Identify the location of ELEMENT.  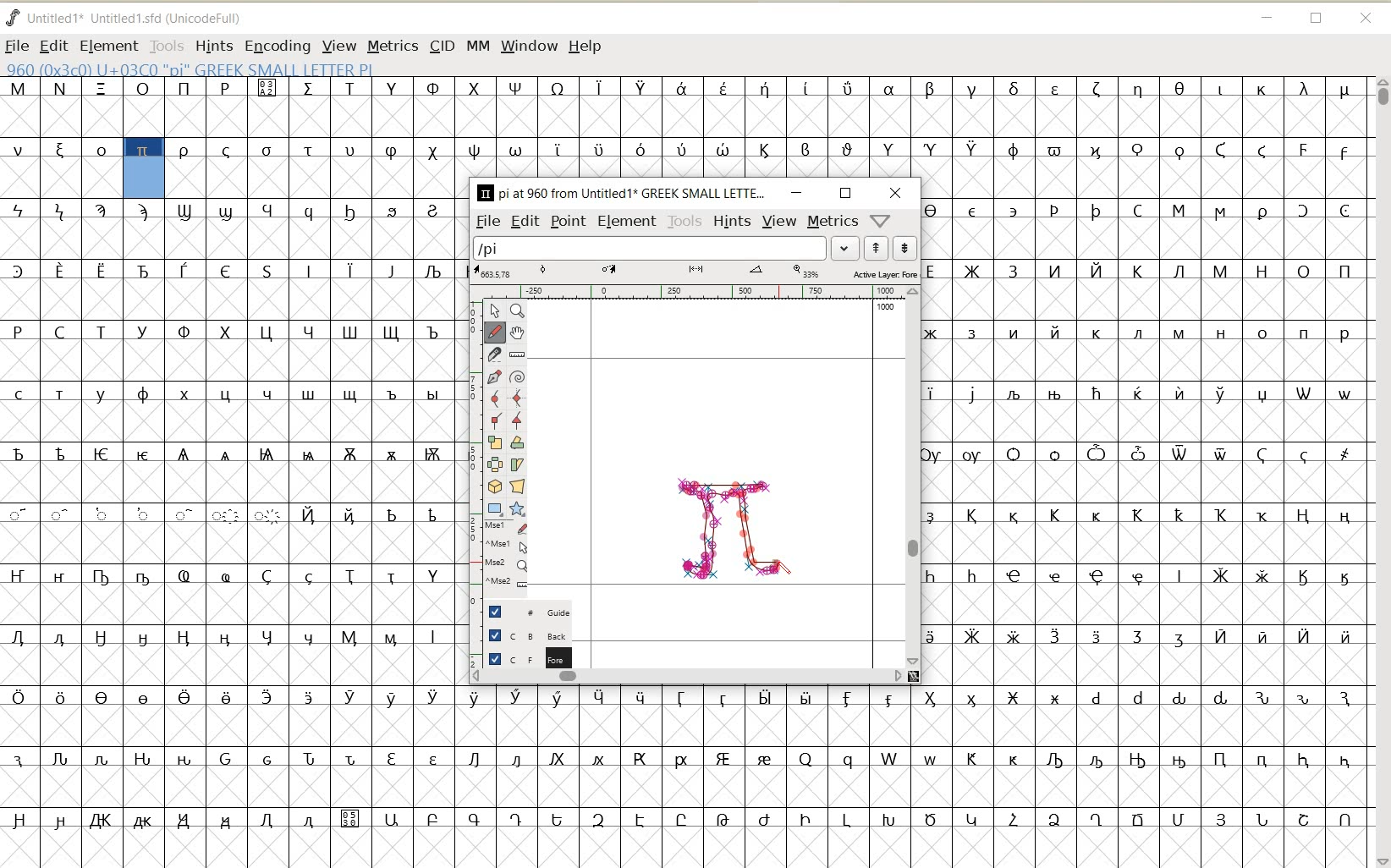
(108, 46).